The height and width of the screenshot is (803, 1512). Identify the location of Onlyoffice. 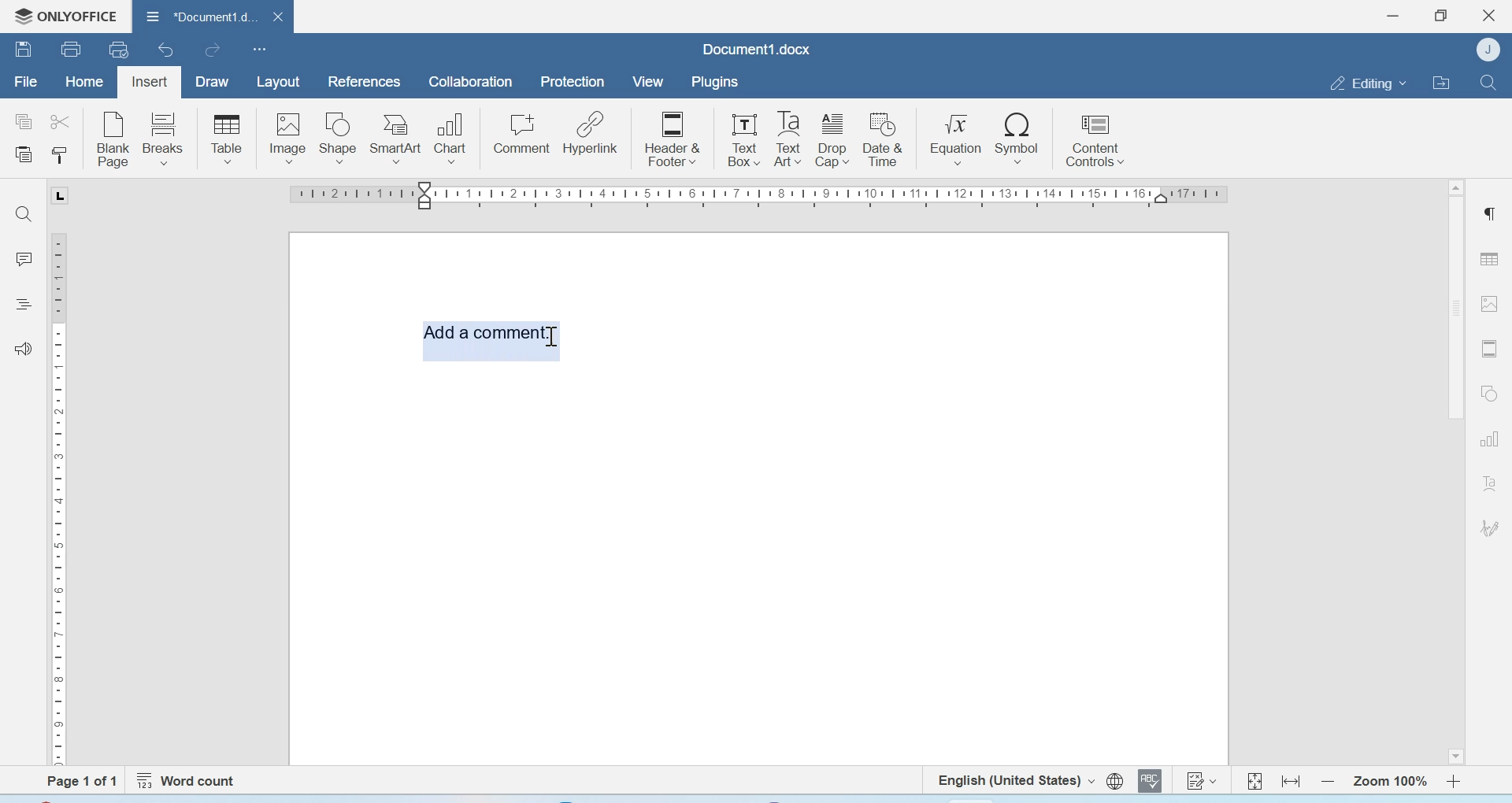
(61, 17).